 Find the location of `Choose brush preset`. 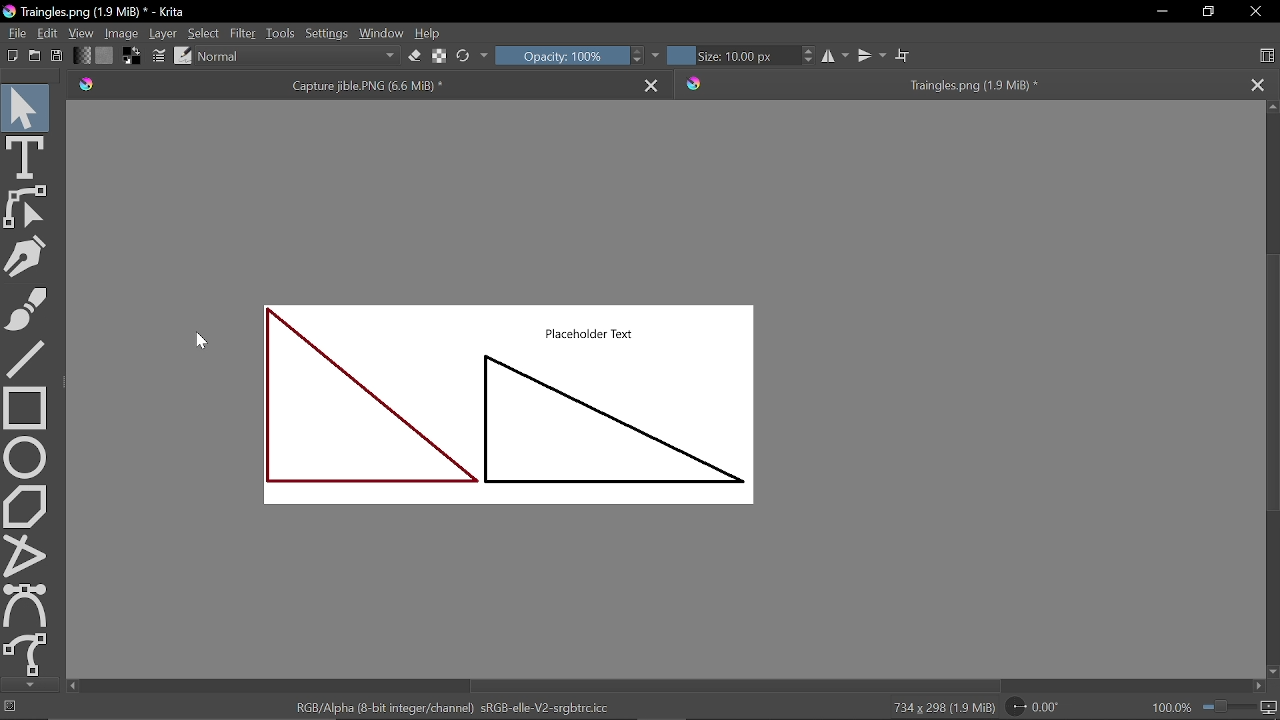

Choose brush preset is located at coordinates (182, 56).